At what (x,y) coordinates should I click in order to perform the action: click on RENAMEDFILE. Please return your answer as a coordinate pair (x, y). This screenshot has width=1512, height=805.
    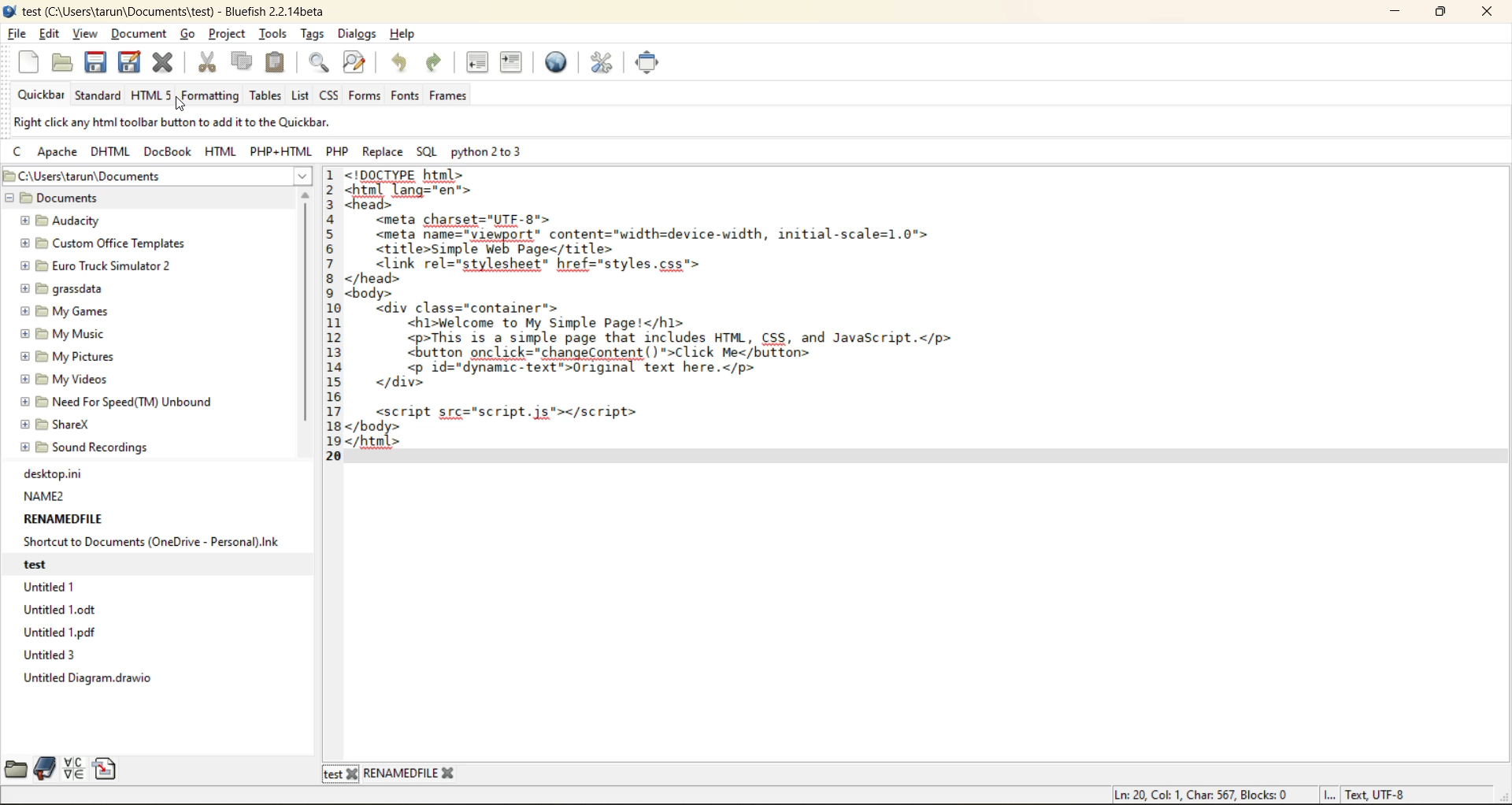
    Looking at the image, I should click on (61, 521).